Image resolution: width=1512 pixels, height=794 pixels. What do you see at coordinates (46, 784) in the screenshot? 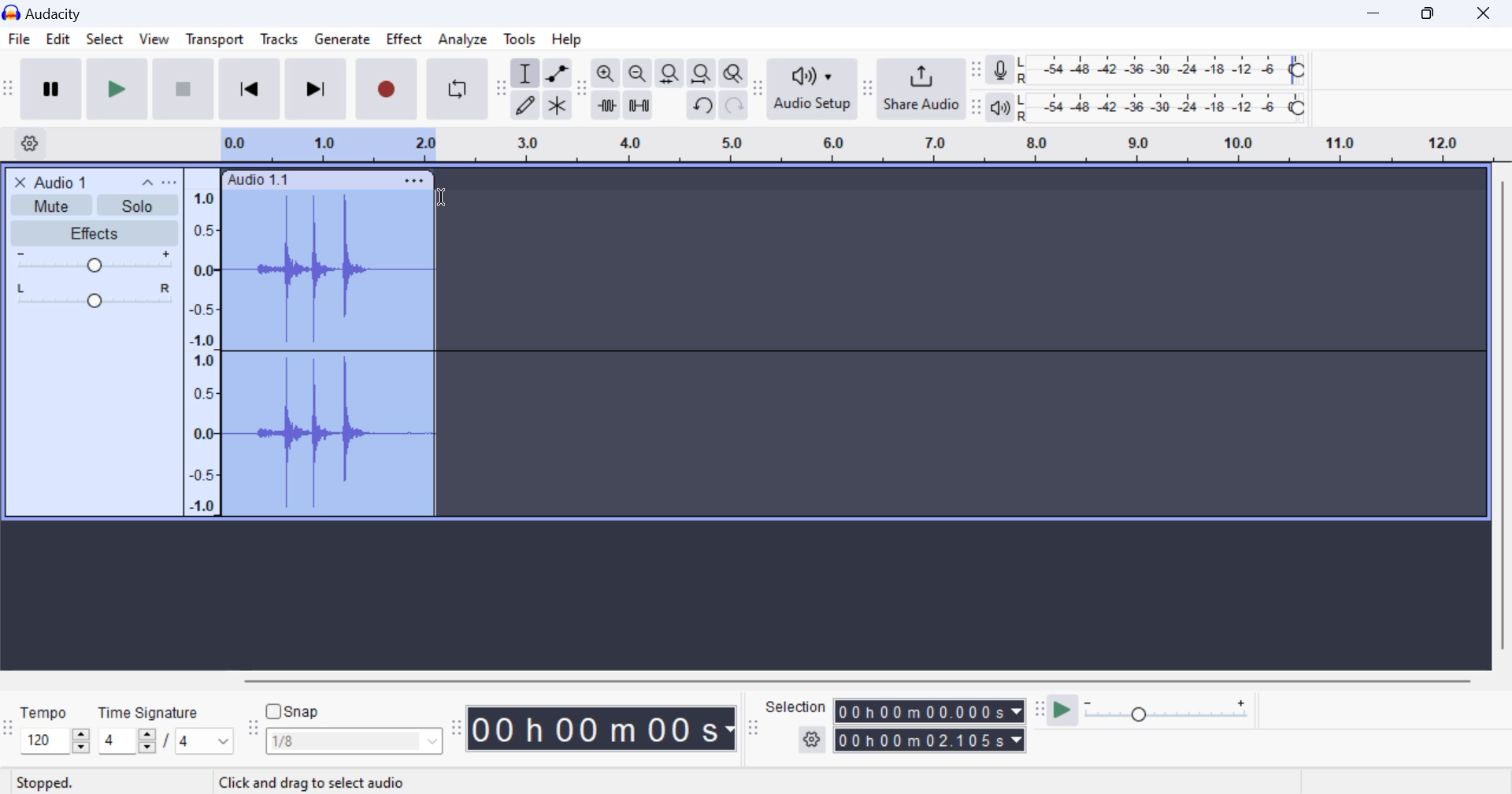
I see `Clip Status` at bounding box center [46, 784].